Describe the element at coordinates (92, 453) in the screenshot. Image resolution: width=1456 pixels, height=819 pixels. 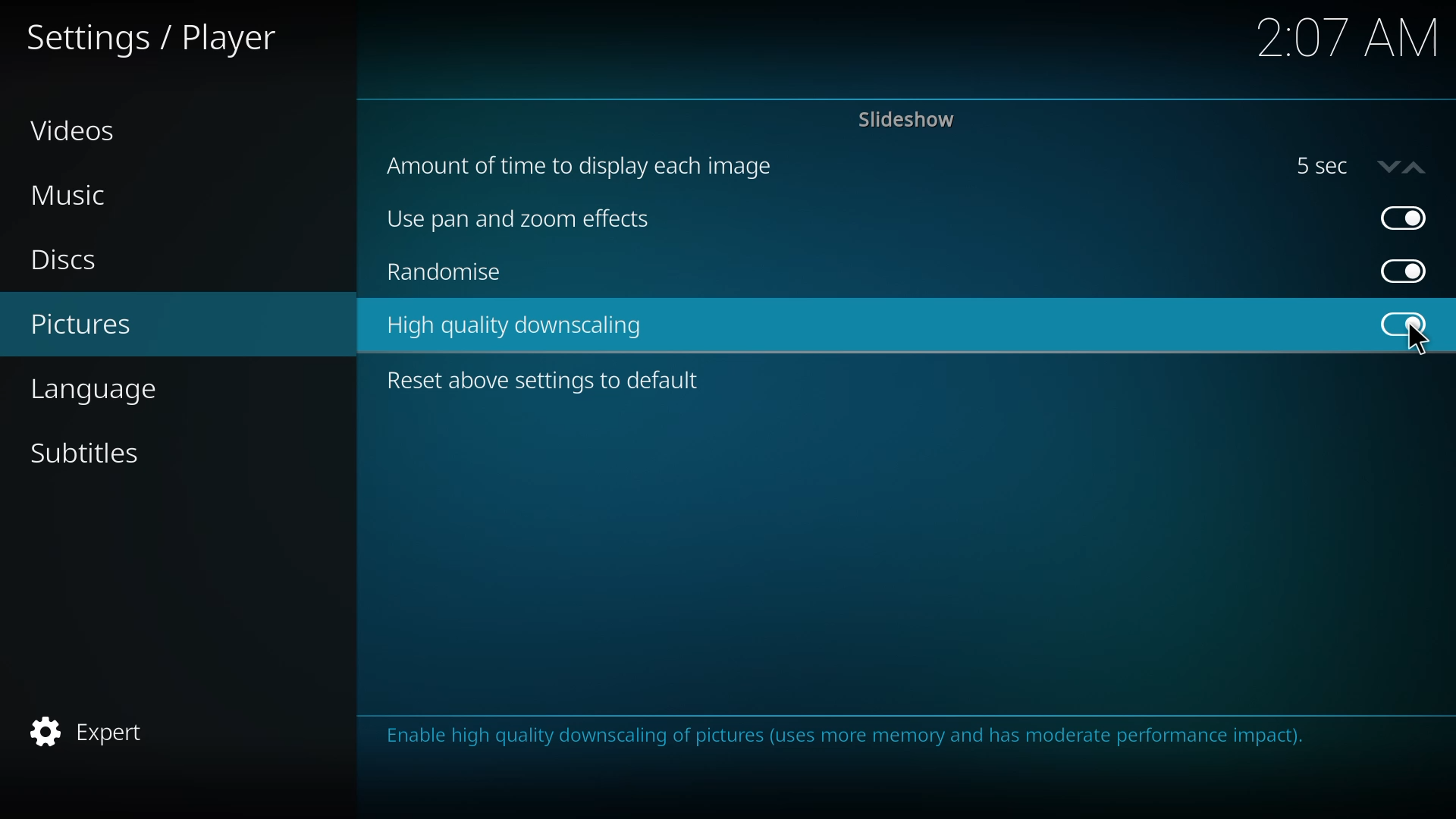
I see `subtitles` at that location.